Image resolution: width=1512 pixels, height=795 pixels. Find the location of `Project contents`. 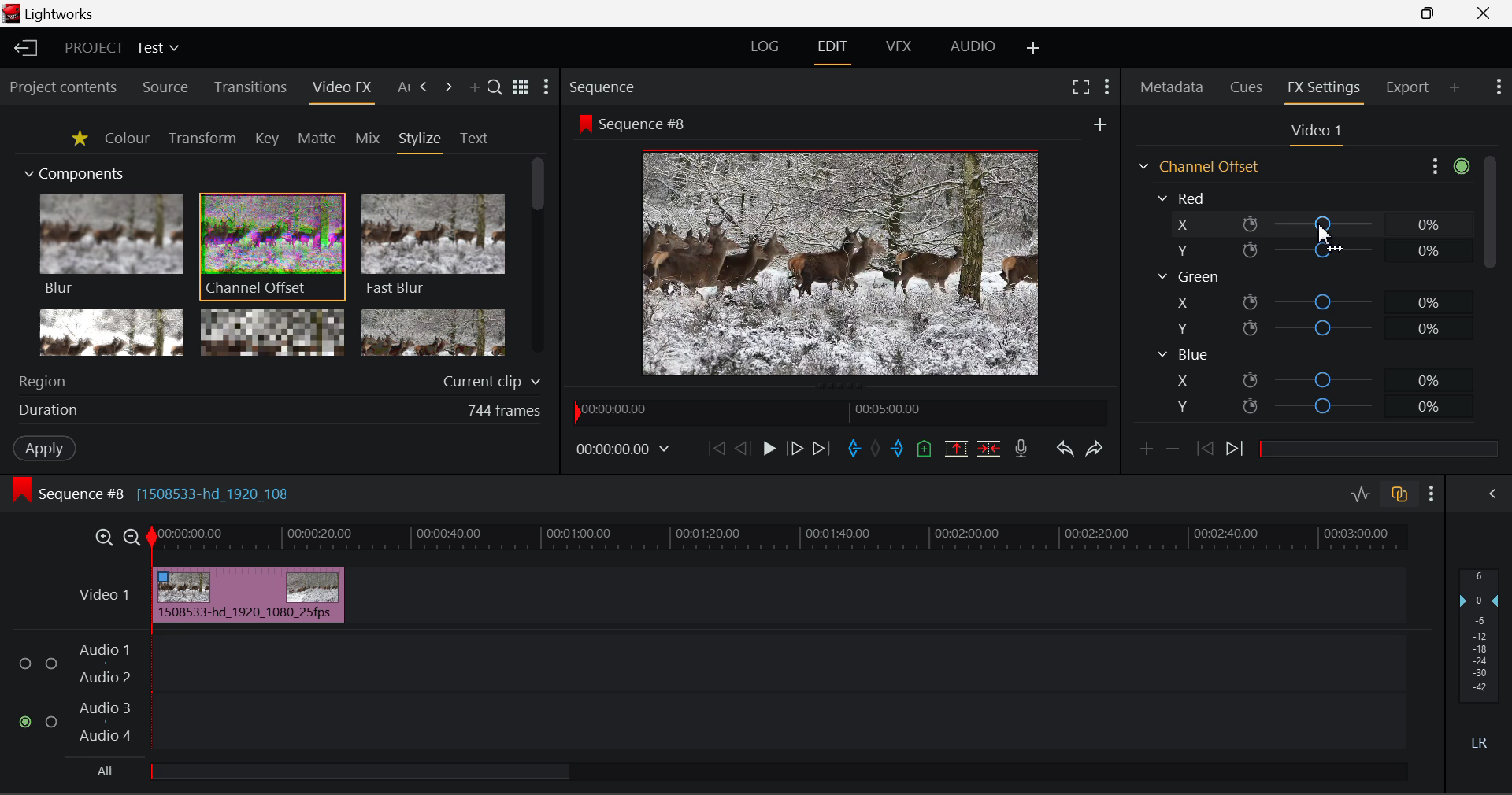

Project contents is located at coordinates (62, 88).